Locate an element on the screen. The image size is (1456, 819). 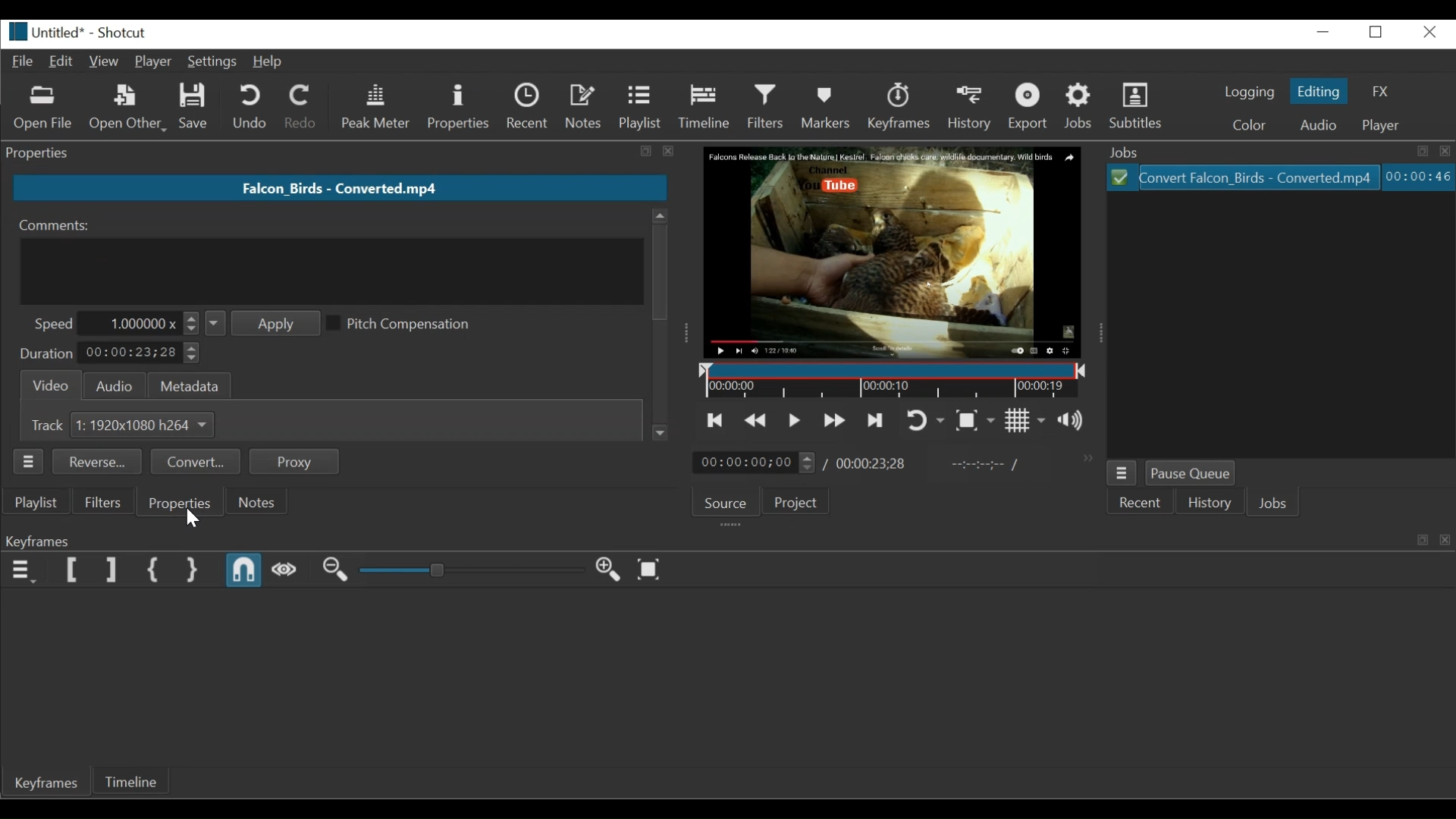
Current location is located at coordinates (752, 462).